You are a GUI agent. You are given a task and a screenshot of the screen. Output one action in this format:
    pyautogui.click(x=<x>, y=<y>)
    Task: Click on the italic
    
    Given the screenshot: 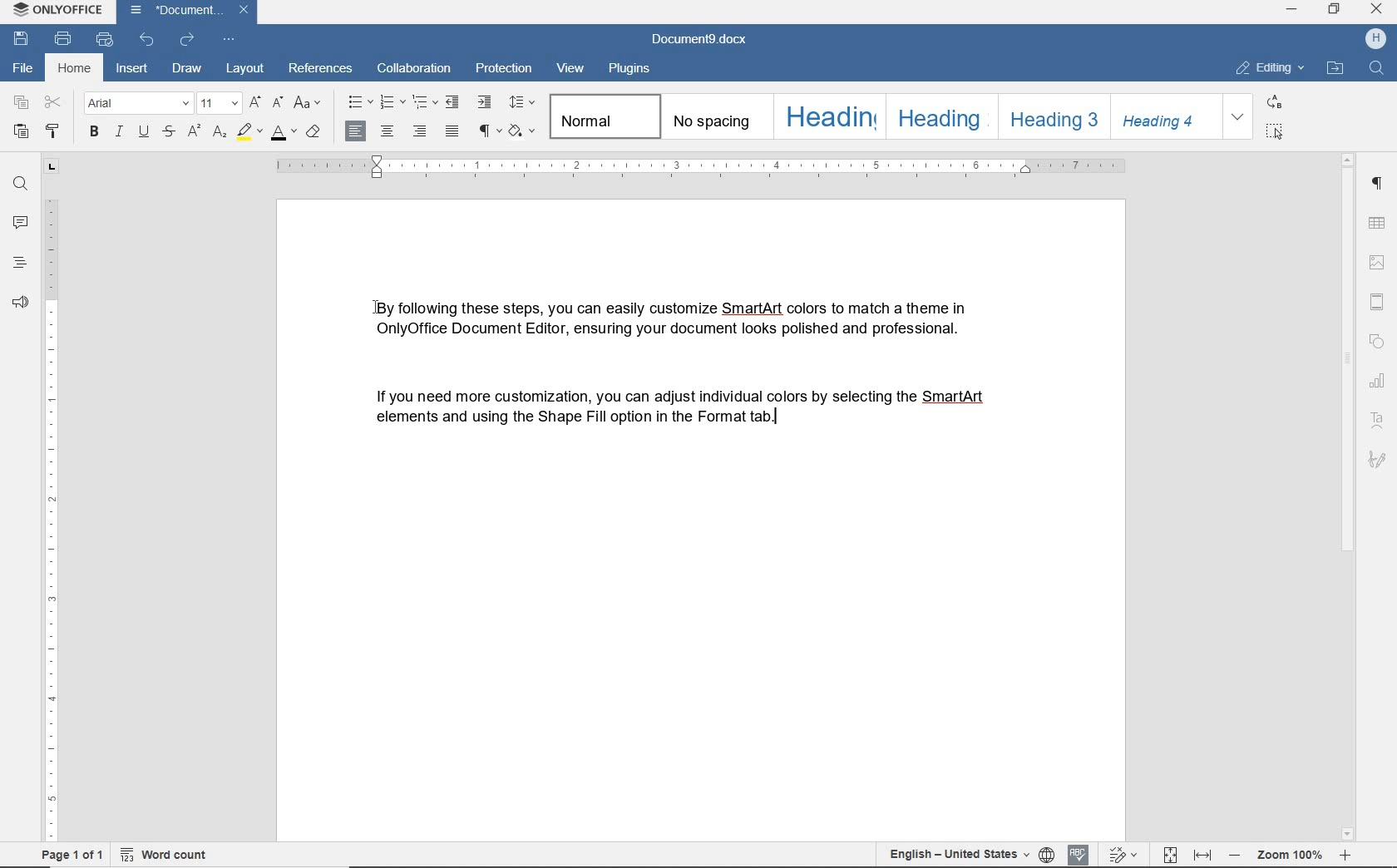 What is the action you would take?
    pyautogui.click(x=119, y=132)
    